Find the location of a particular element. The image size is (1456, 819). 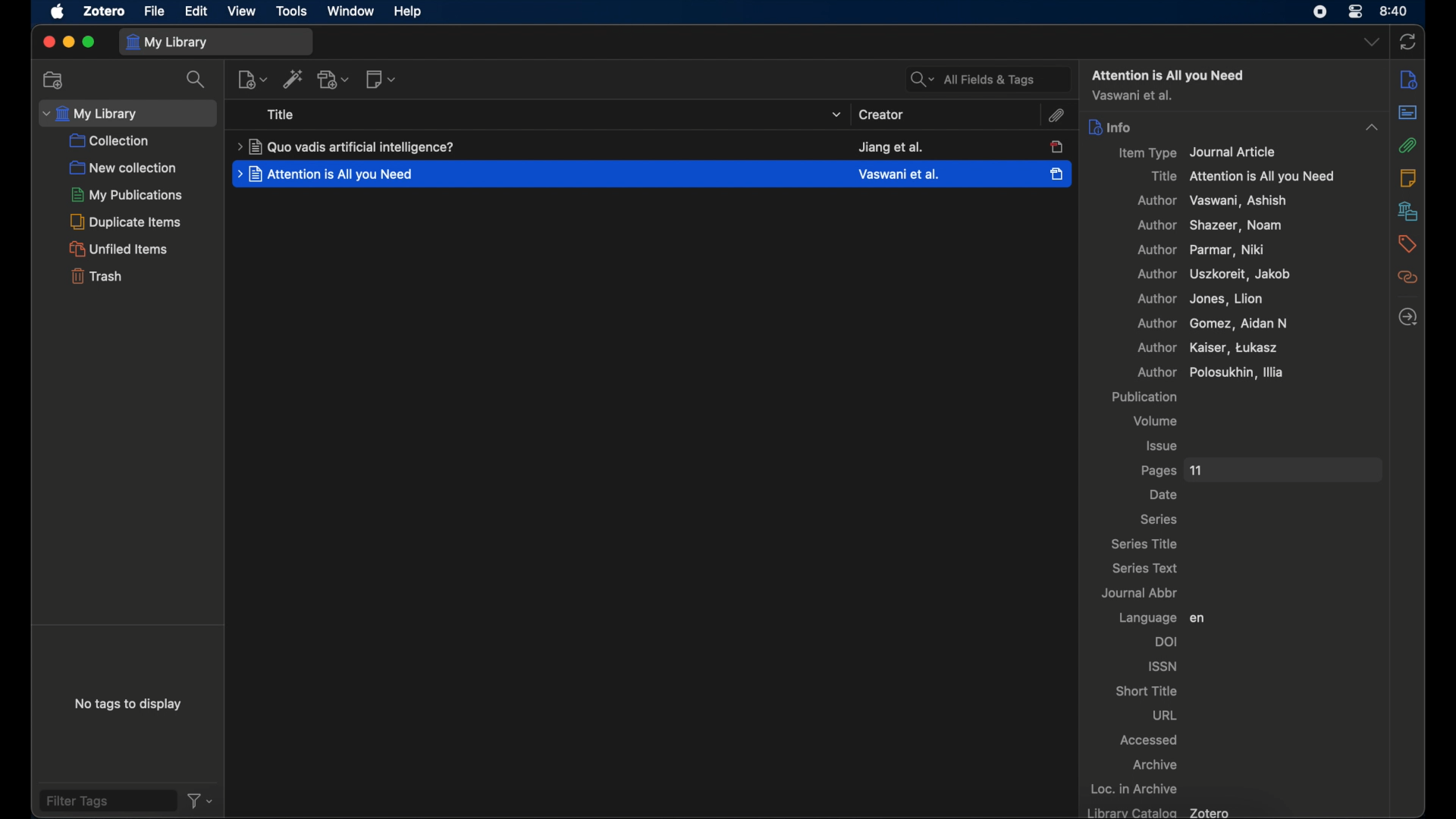

issue is located at coordinates (1163, 445).